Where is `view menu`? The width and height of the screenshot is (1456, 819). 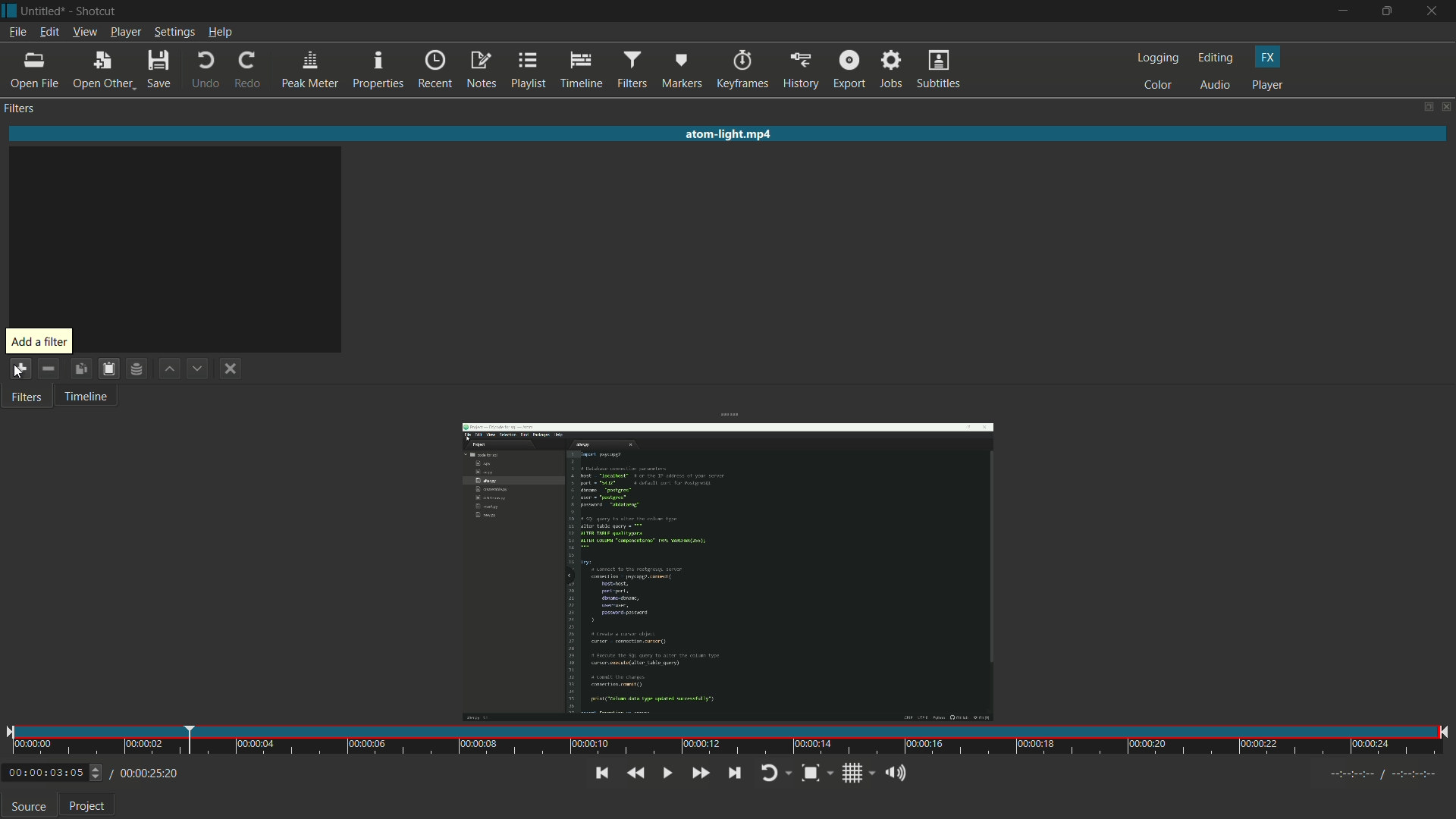
view menu is located at coordinates (84, 33).